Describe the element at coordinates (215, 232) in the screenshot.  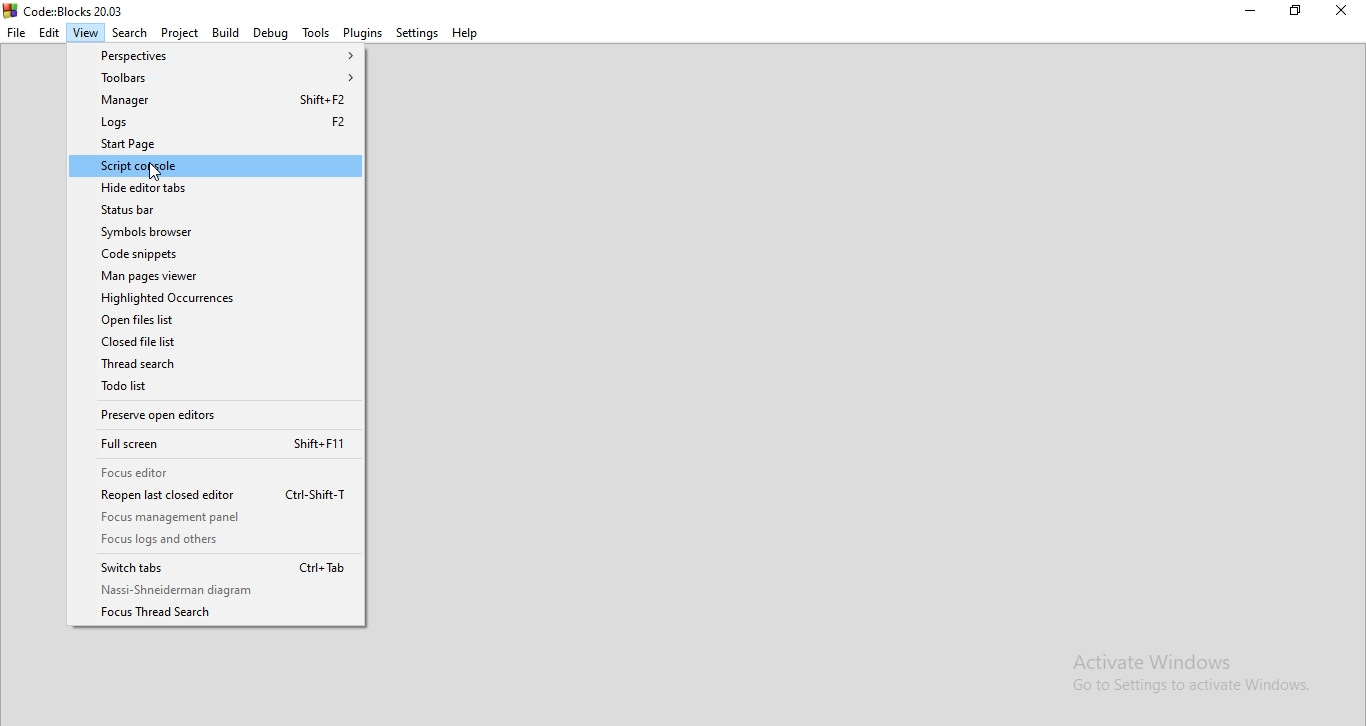
I see `Symbols browser` at that location.